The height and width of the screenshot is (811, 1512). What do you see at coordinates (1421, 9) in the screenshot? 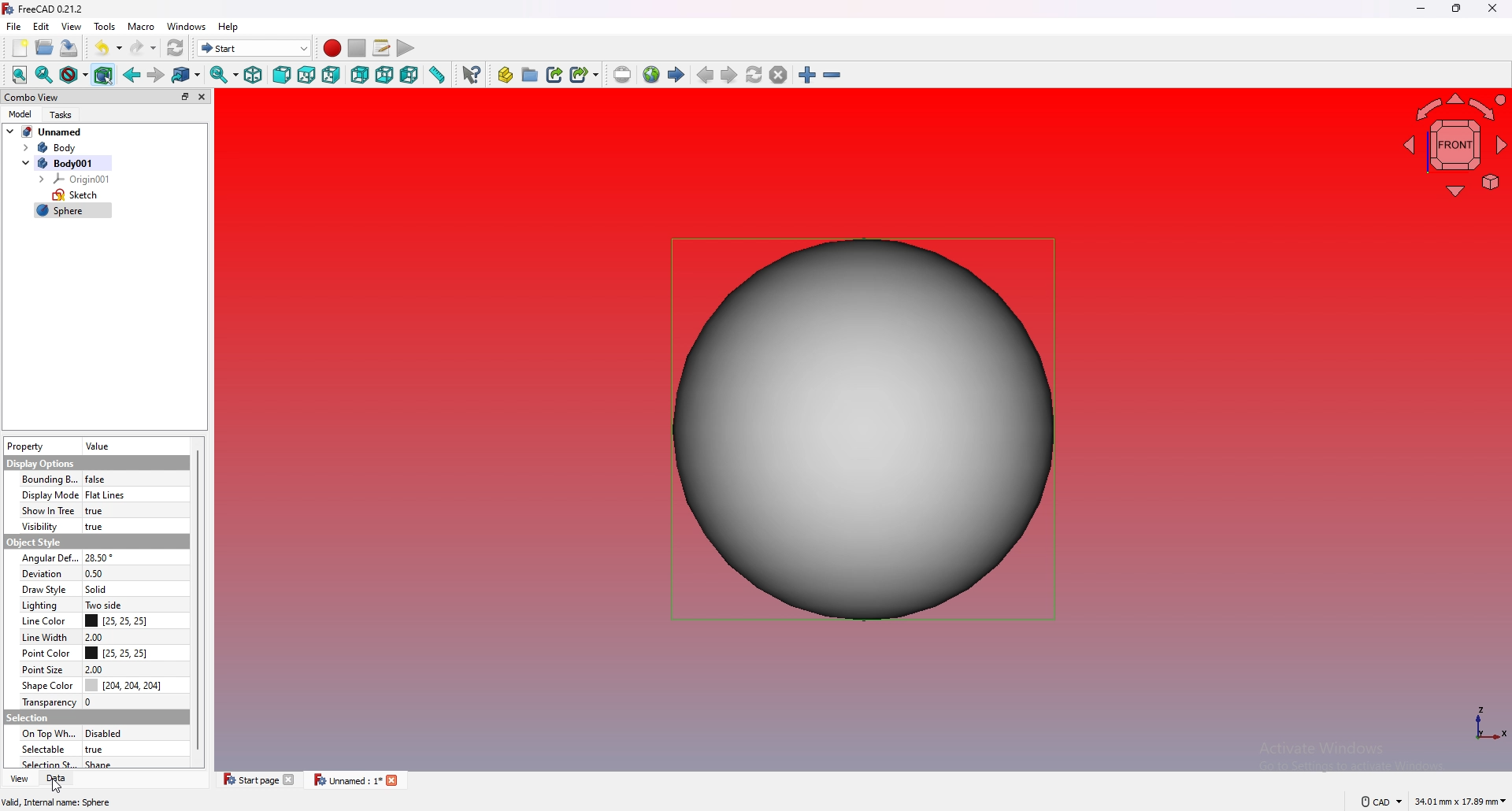
I see `minimize` at bounding box center [1421, 9].